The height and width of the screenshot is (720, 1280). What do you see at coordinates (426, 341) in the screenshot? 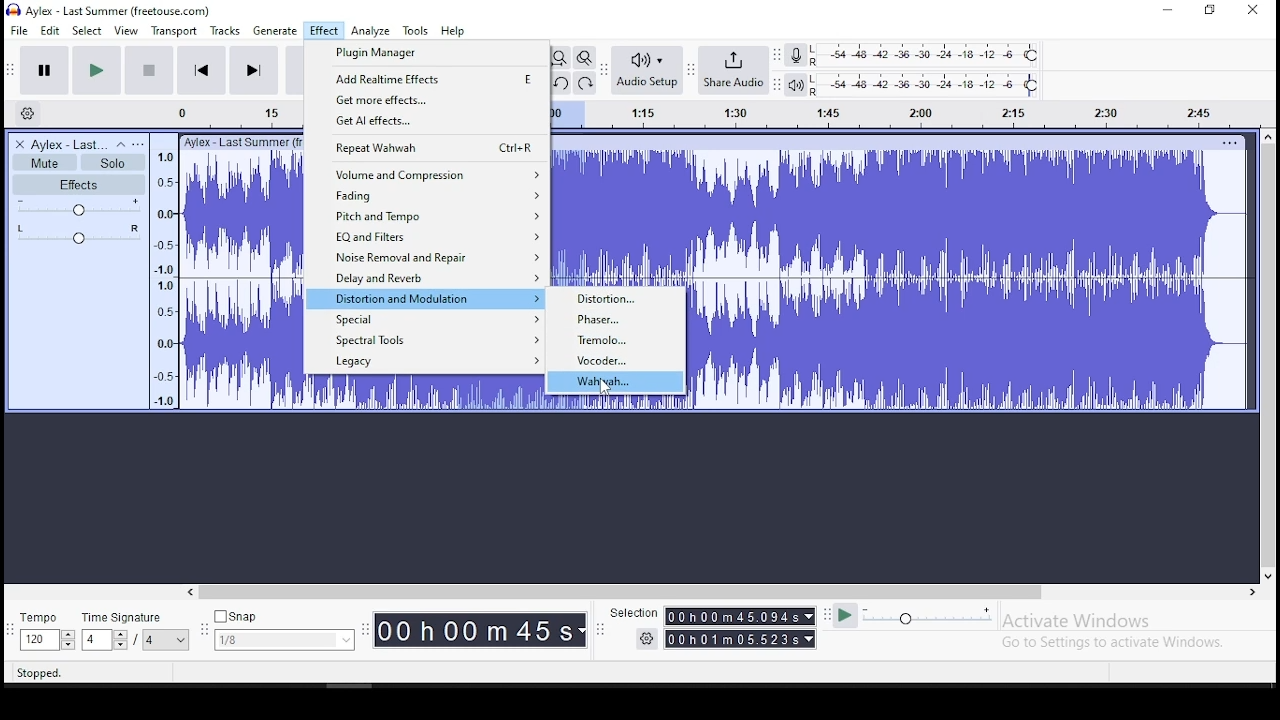
I see `spectral tools` at bounding box center [426, 341].